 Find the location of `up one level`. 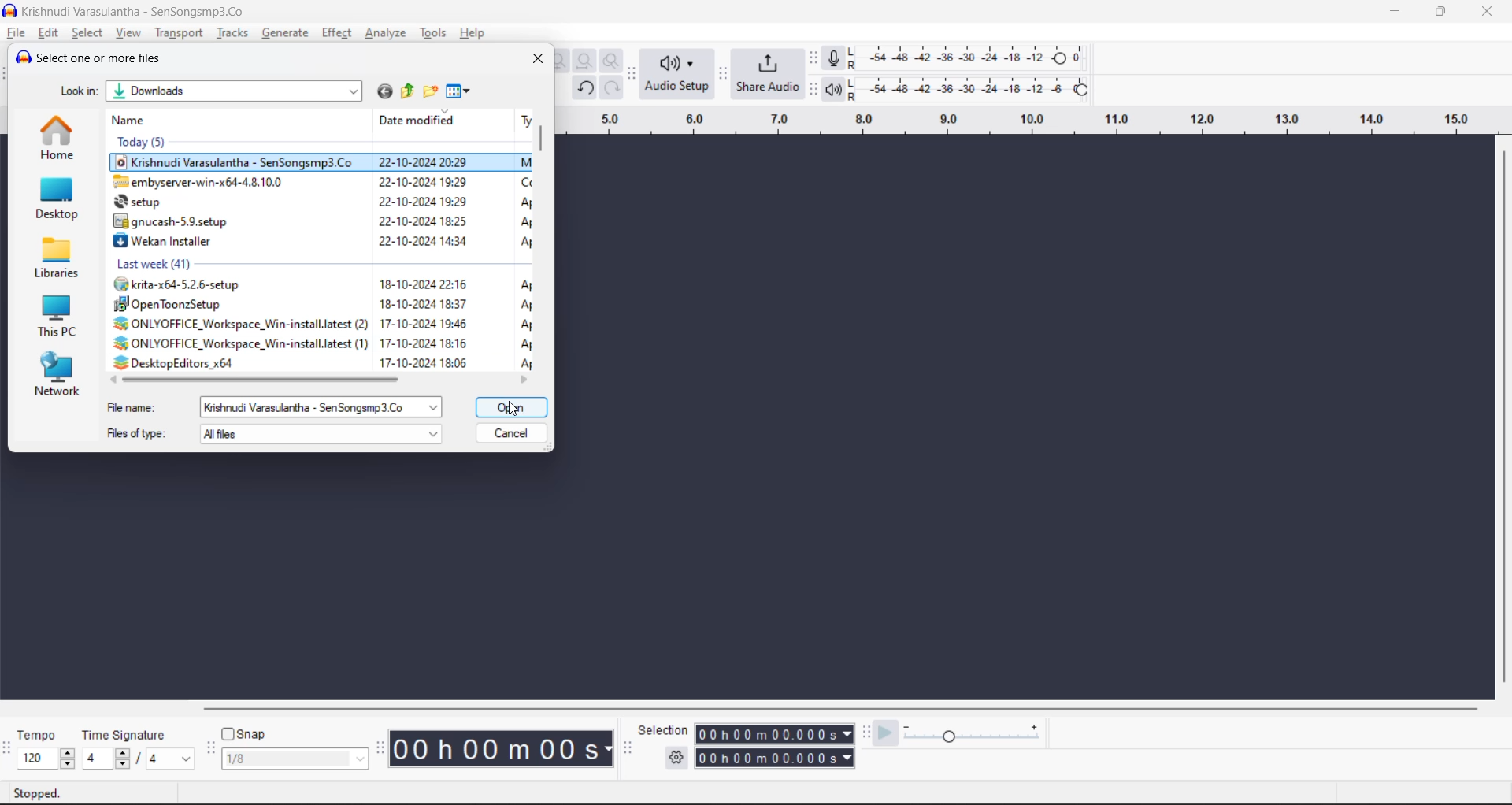

up one level is located at coordinates (406, 92).